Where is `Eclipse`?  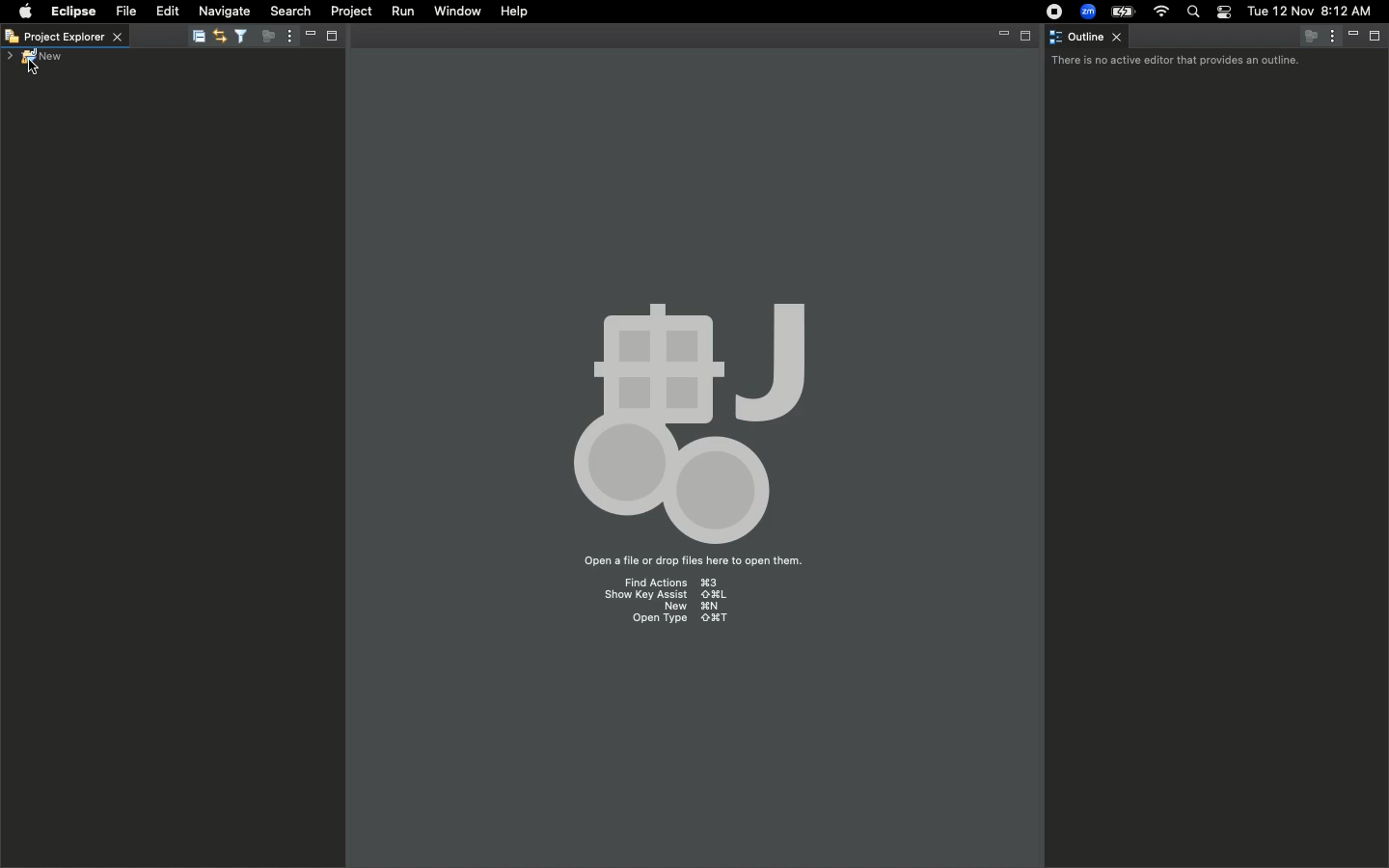
Eclipse is located at coordinates (73, 13).